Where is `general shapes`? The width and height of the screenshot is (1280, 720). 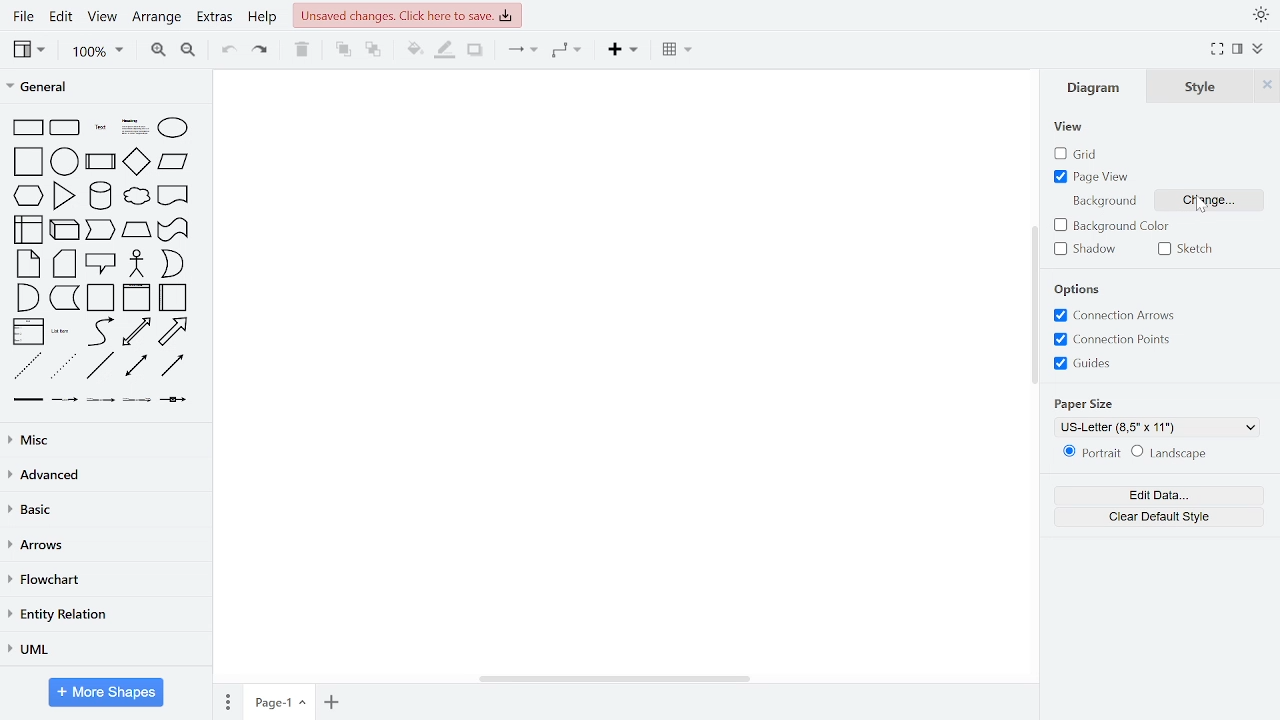
general shapes is located at coordinates (27, 330).